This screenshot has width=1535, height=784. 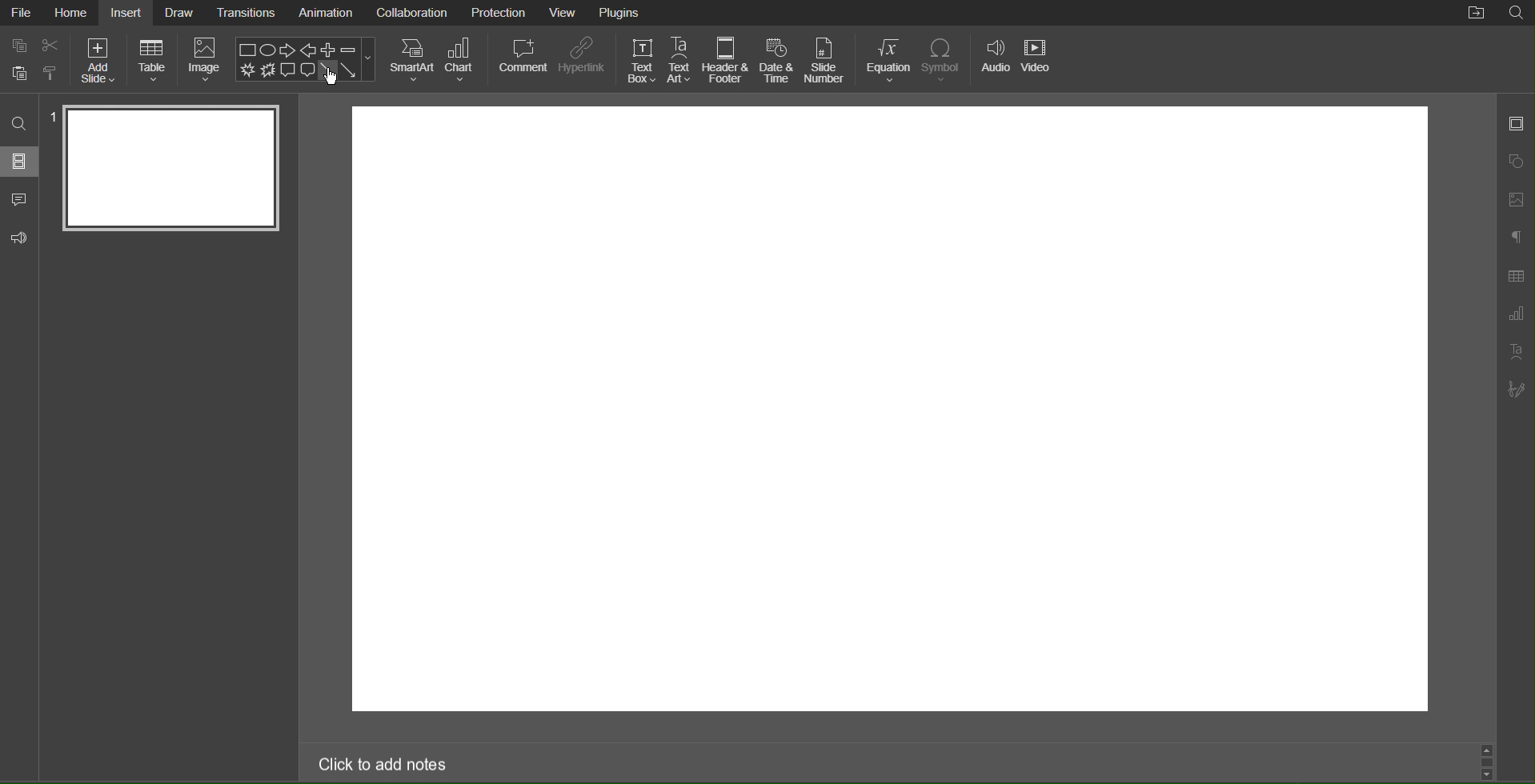 I want to click on File , so click(x=22, y=12).